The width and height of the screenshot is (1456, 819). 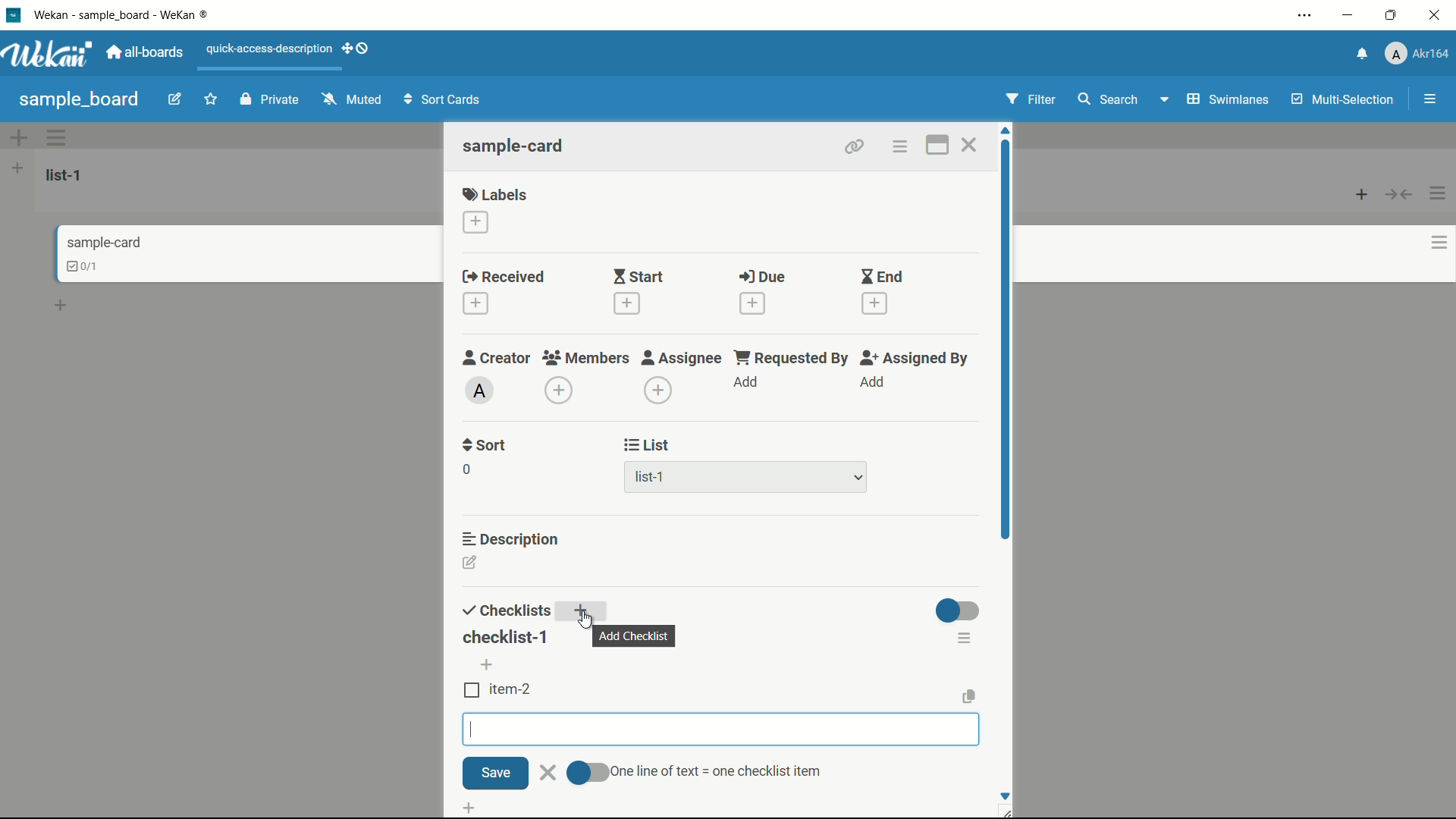 What do you see at coordinates (588, 618) in the screenshot?
I see `cursor` at bounding box center [588, 618].